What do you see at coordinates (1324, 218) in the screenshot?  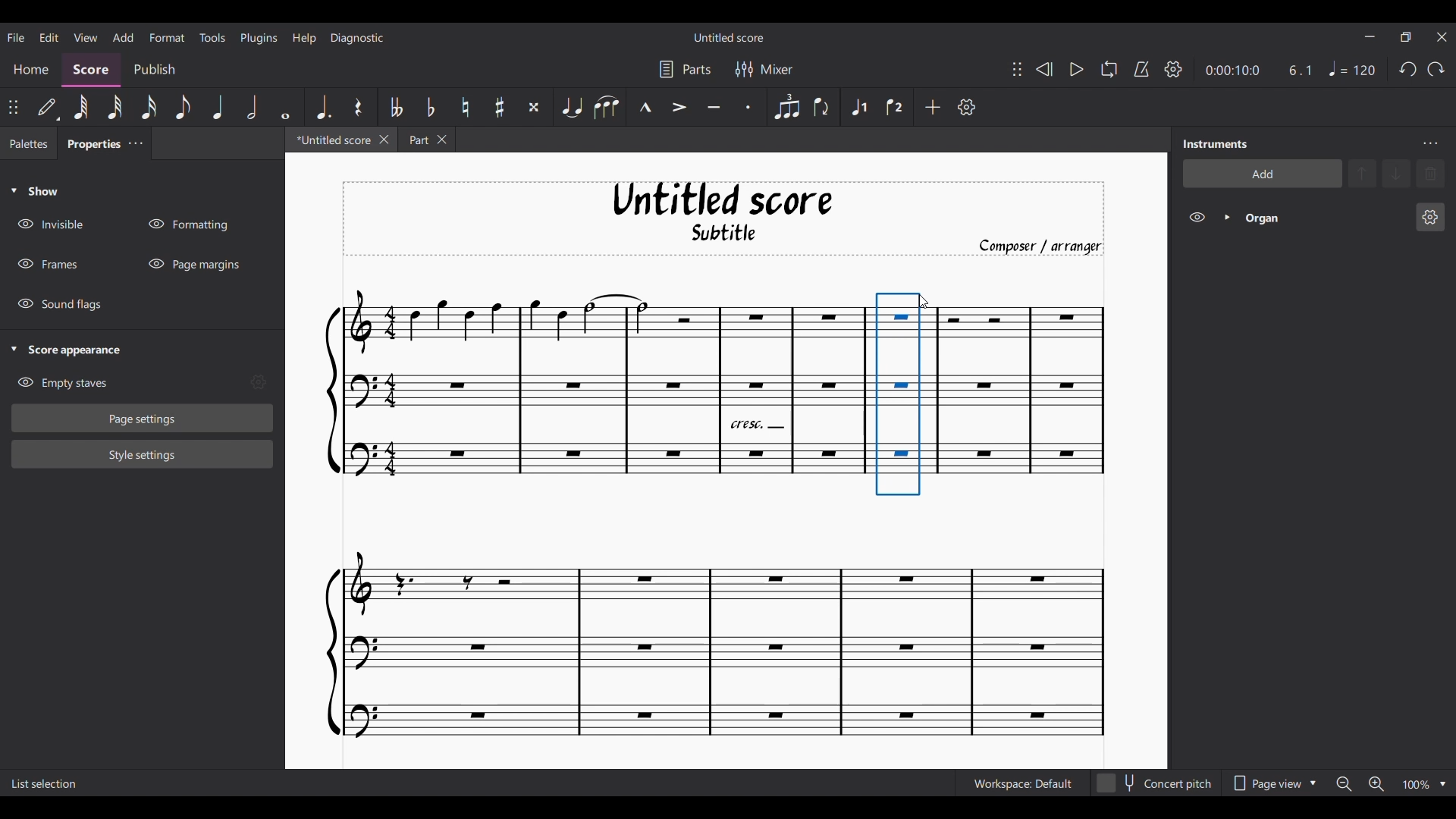 I see `Current instrument` at bounding box center [1324, 218].